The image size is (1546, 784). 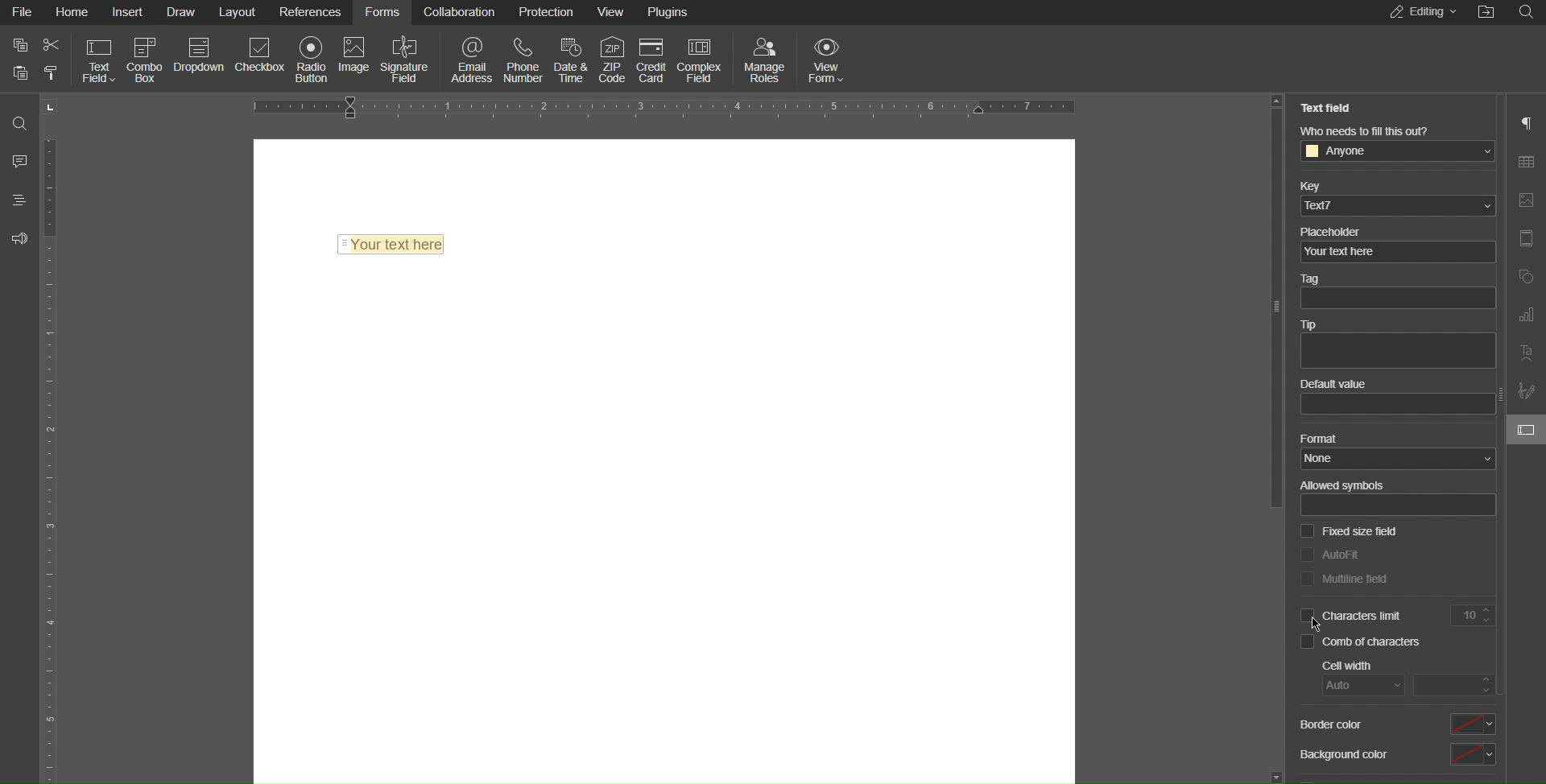 I want to click on Signature, so click(x=1527, y=391).